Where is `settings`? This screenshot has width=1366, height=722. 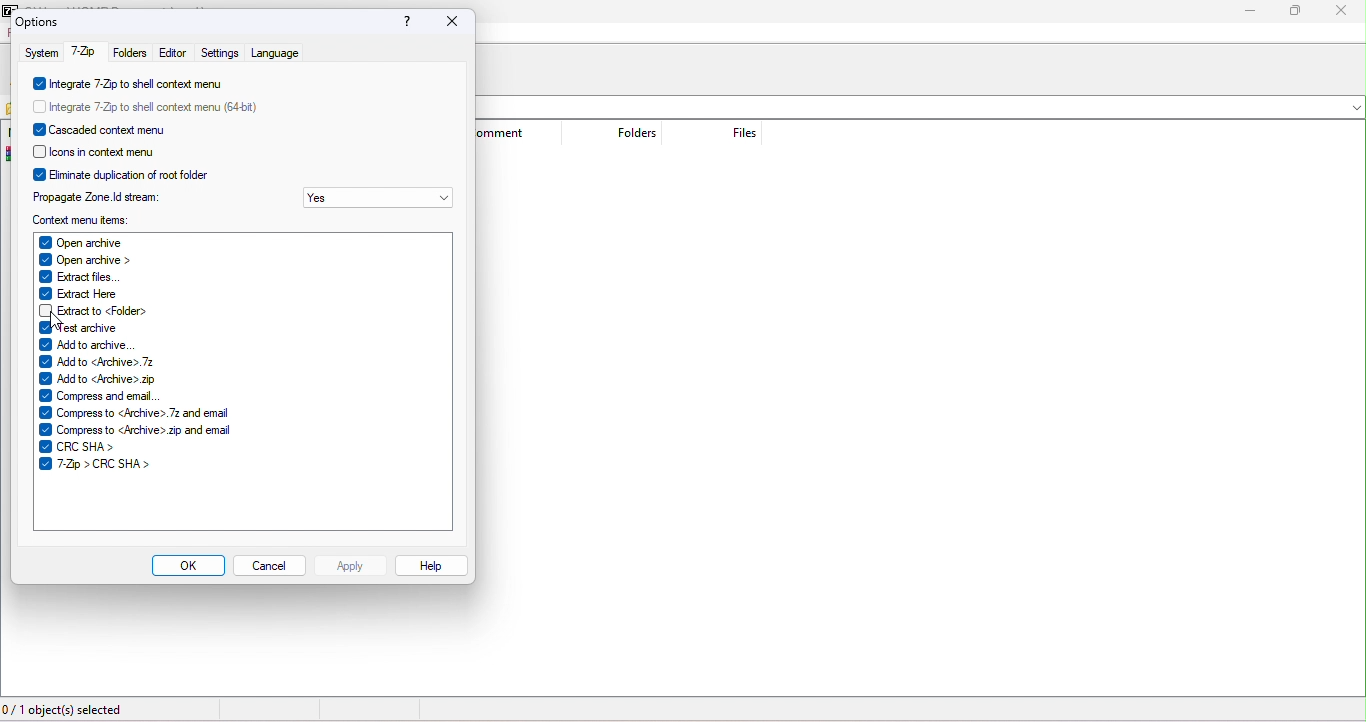
settings is located at coordinates (219, 52).